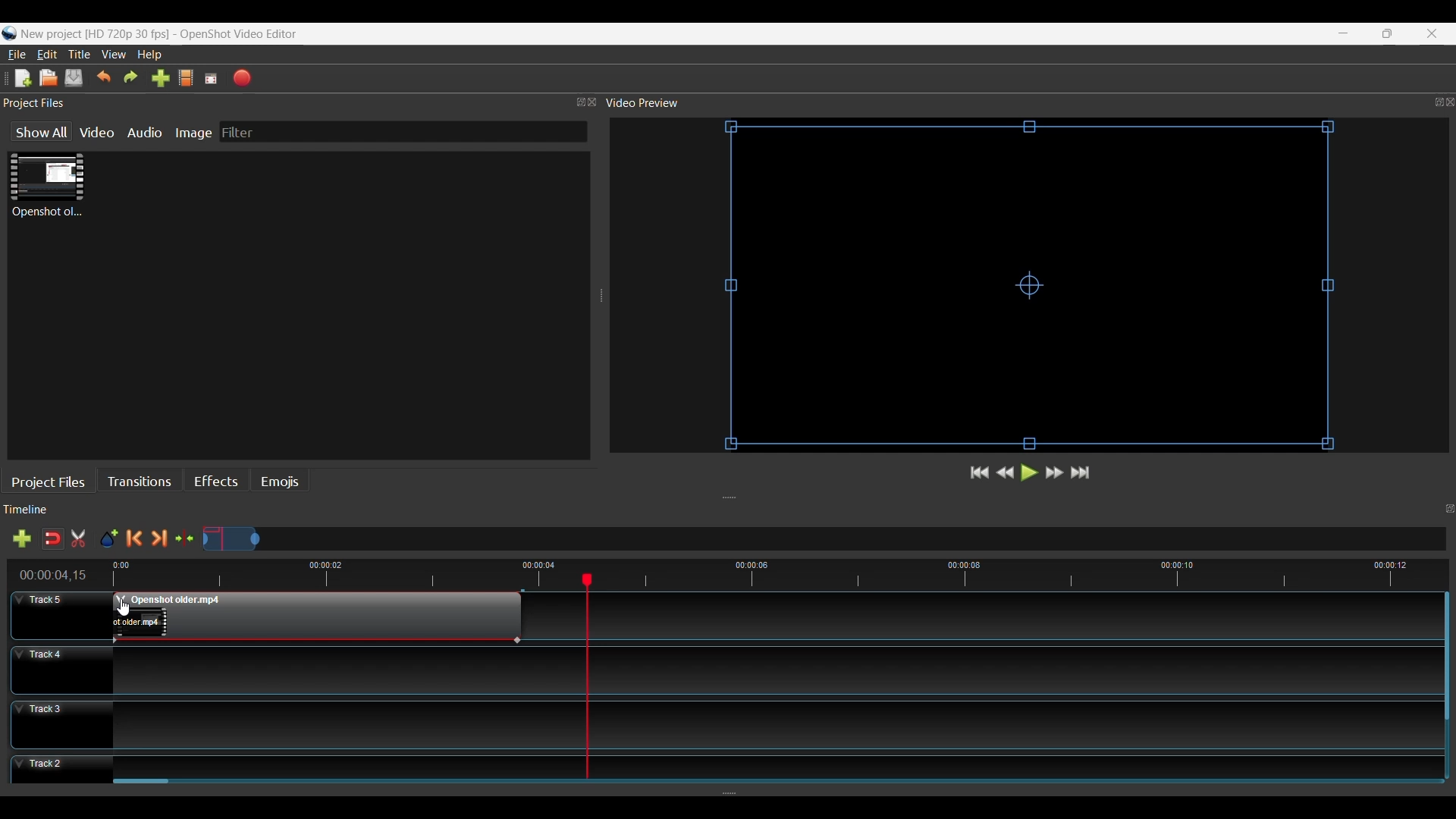  I want to click on Filter, so click(403, 132).